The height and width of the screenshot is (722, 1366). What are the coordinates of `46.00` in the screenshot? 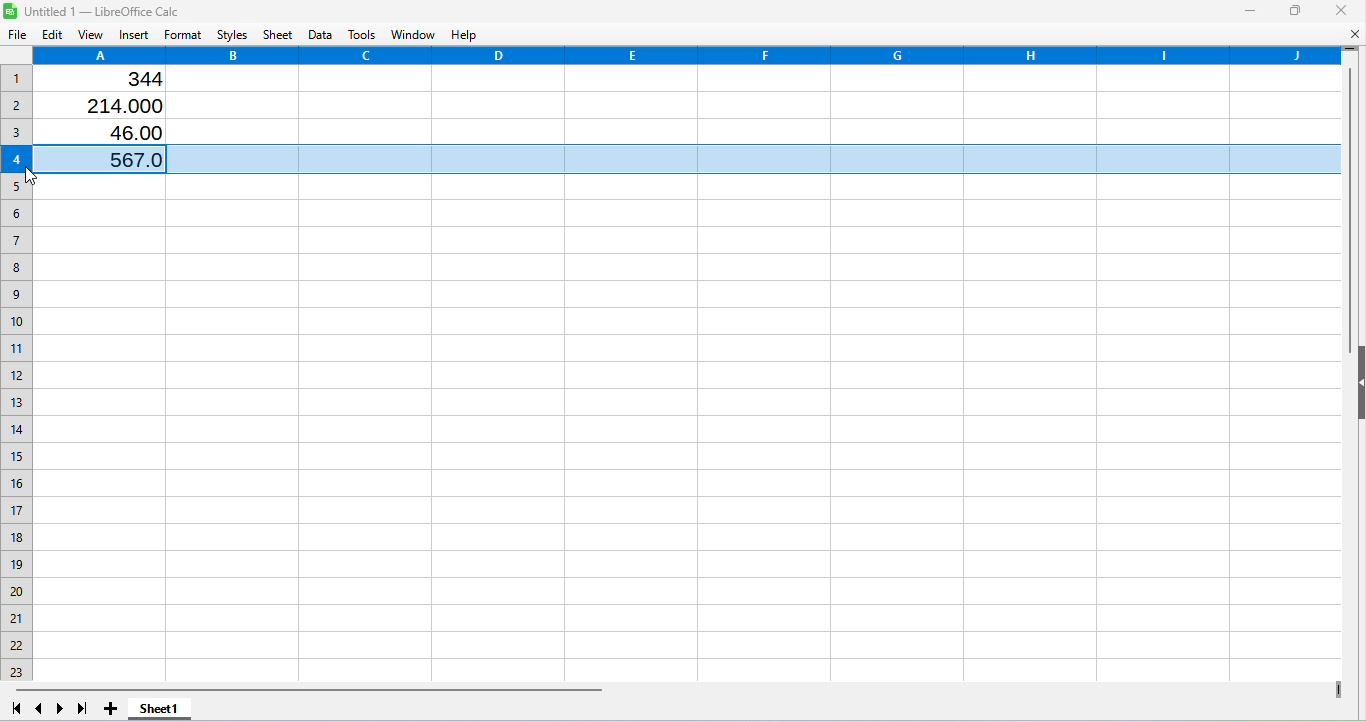 It's located at (127, 134).